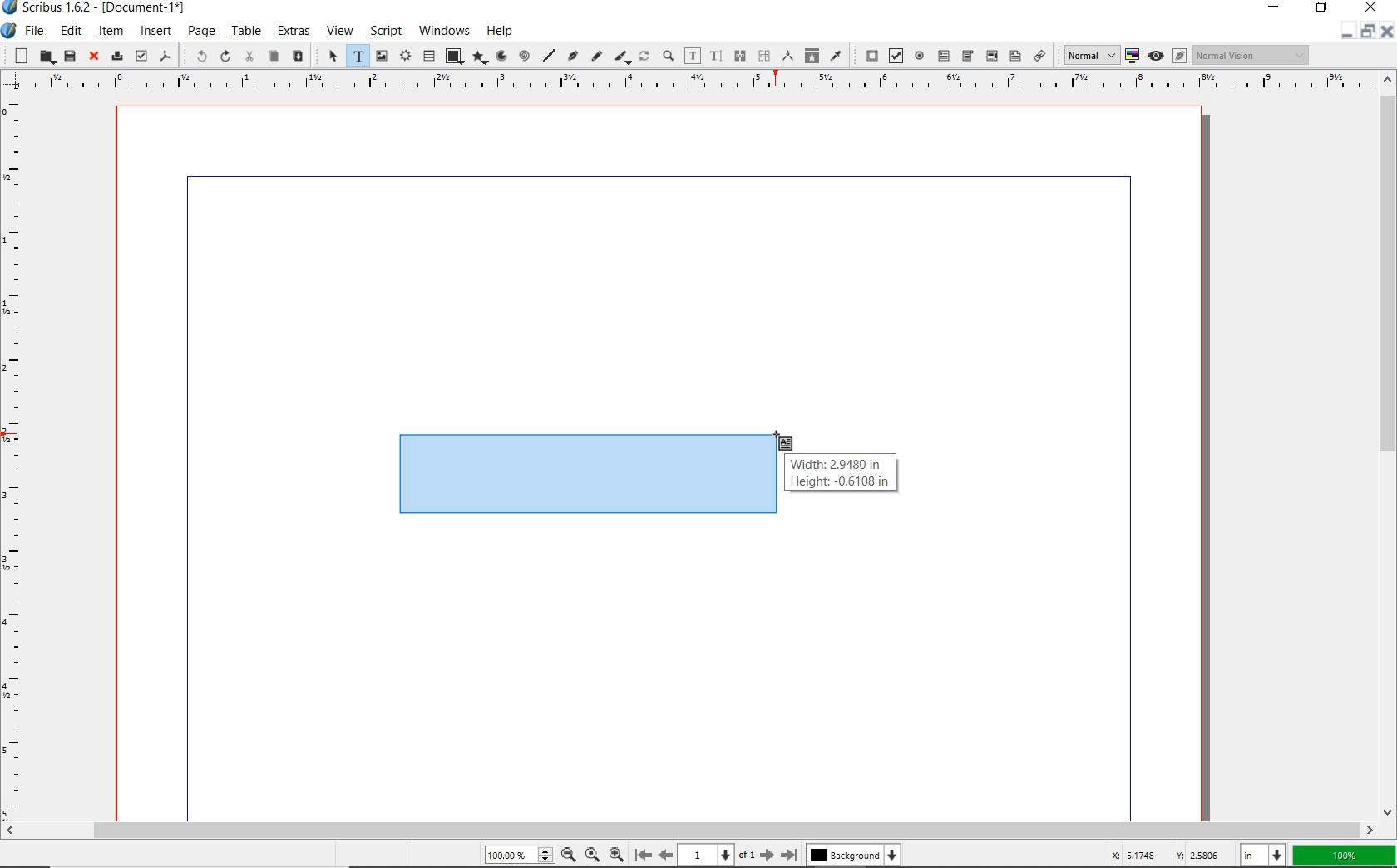 The image size is (1397, 868). Describe the element at coordinates (1265, 854) in the screenshot. I see `in` at that location.